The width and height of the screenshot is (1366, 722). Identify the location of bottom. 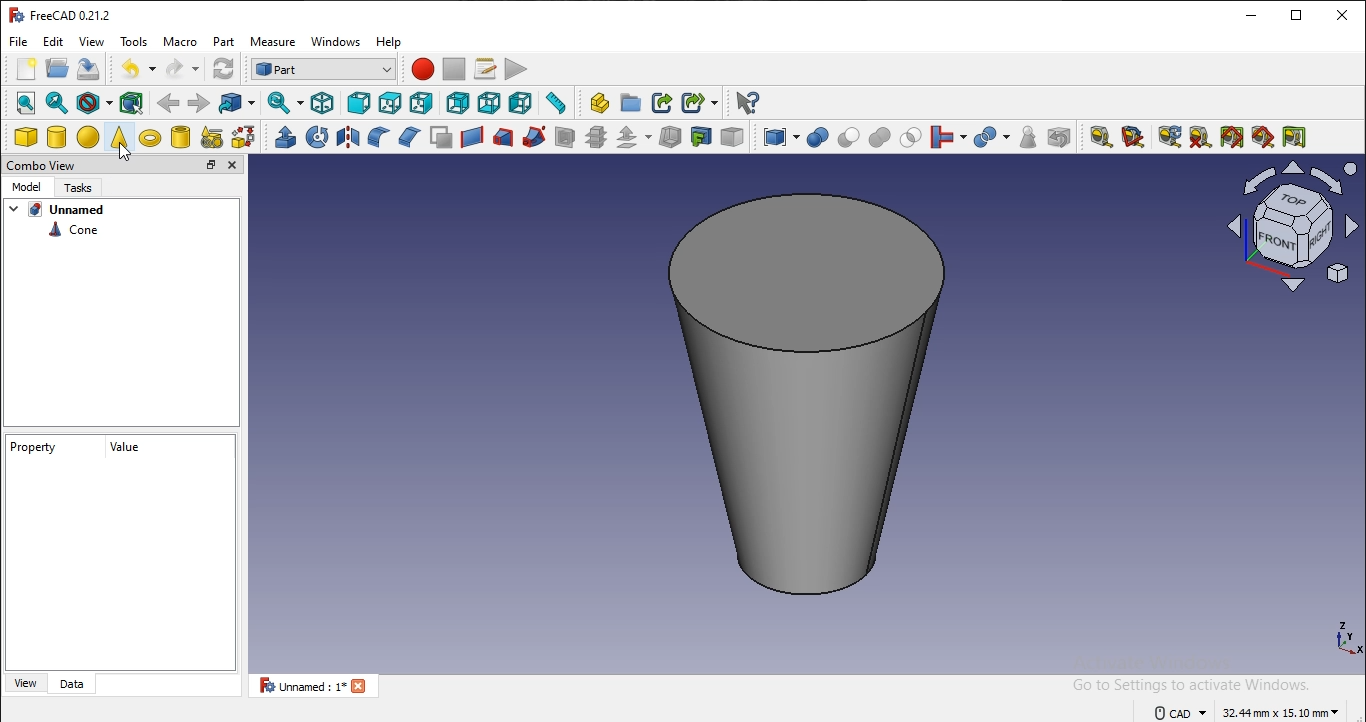
(490, 102).